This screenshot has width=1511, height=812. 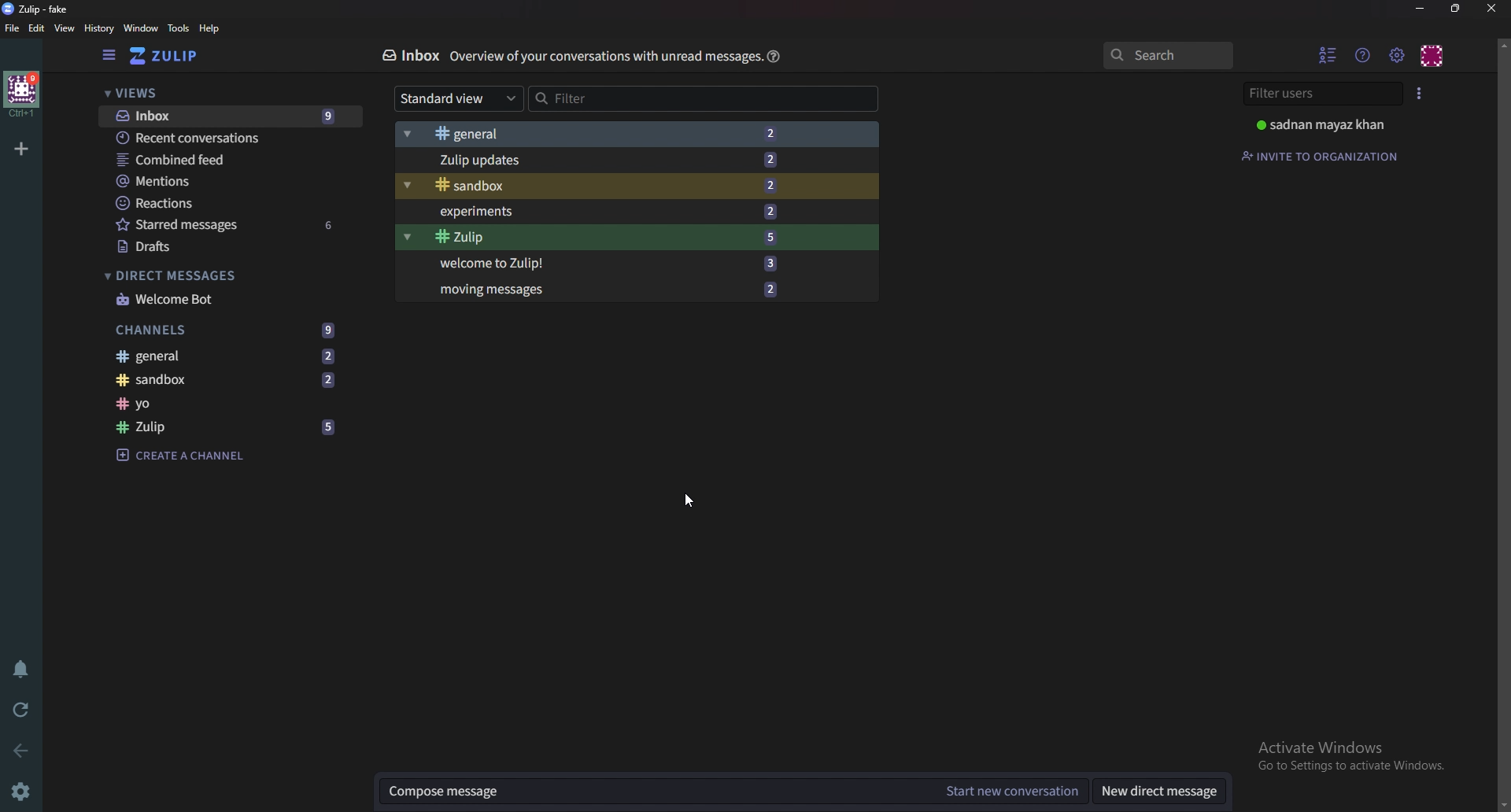 What do you see at coordinates (1316, 93) in the screenshot?
I see `Filter users` at bounding box center [1316, 93].